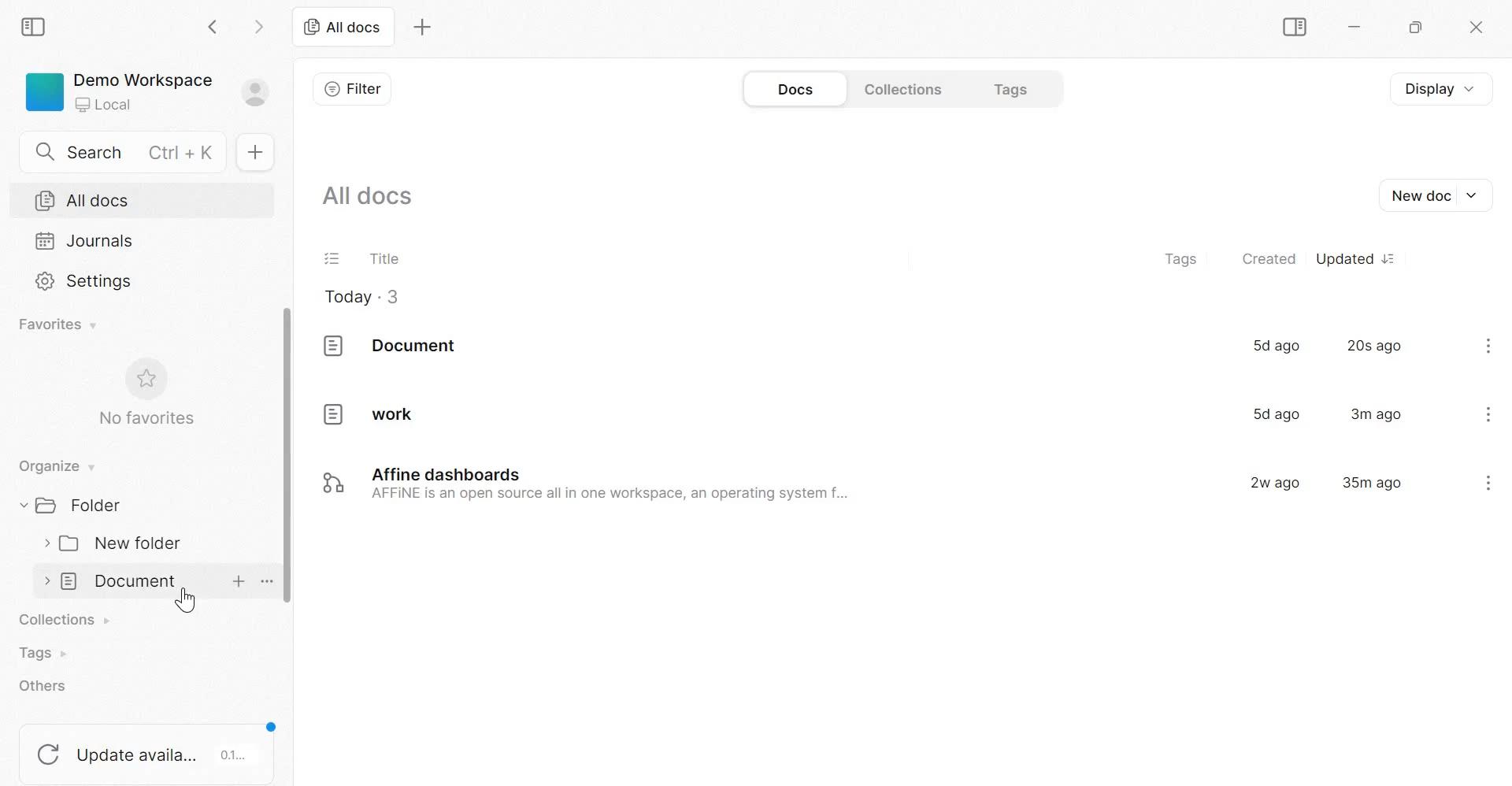 The height and width of the screenshot is (786, 1512). I want to click on created, so click(1269, 259).